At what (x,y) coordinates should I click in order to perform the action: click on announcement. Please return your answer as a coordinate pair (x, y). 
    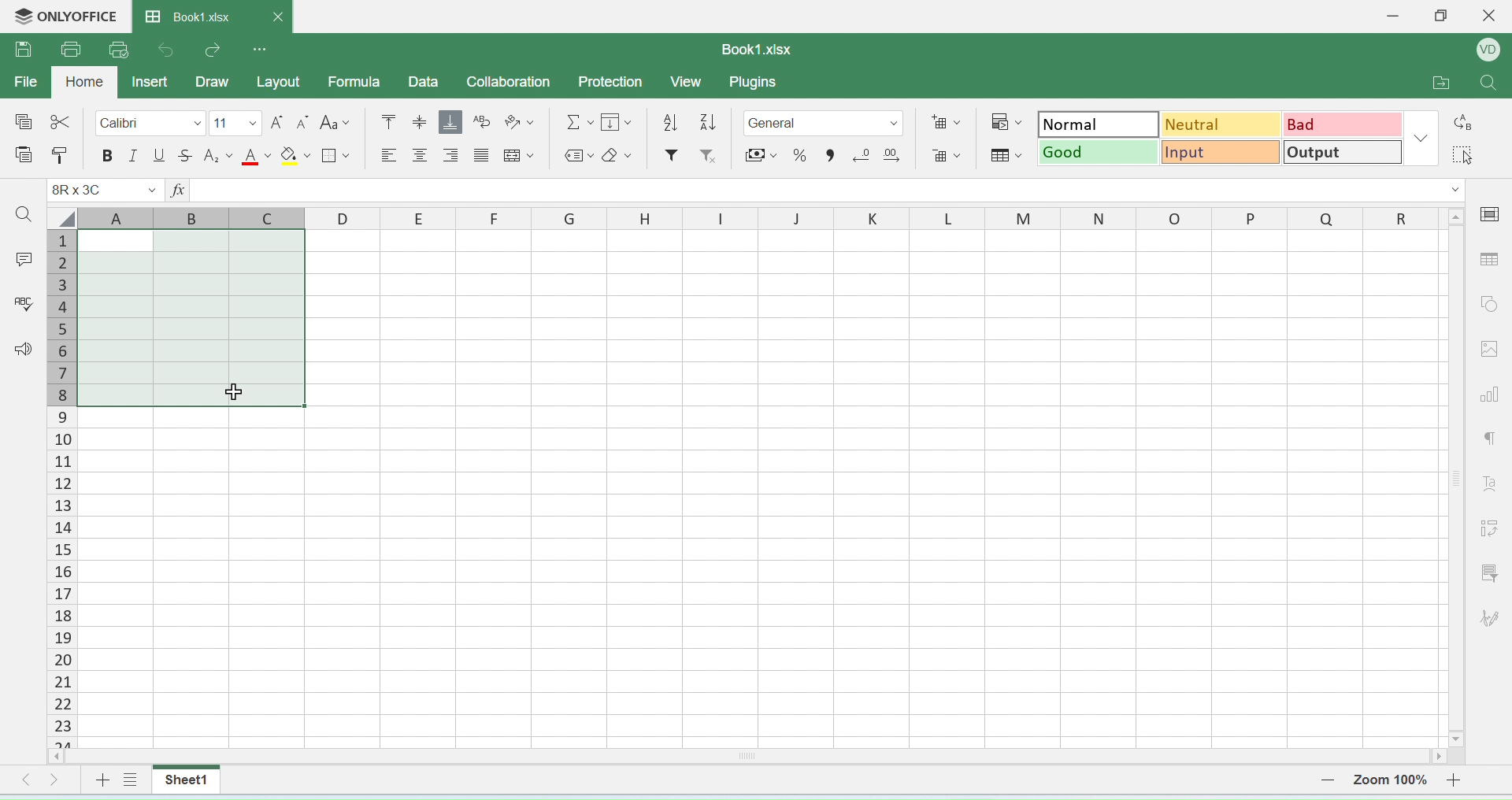
    Looking at the image, I should click on (22, 350).